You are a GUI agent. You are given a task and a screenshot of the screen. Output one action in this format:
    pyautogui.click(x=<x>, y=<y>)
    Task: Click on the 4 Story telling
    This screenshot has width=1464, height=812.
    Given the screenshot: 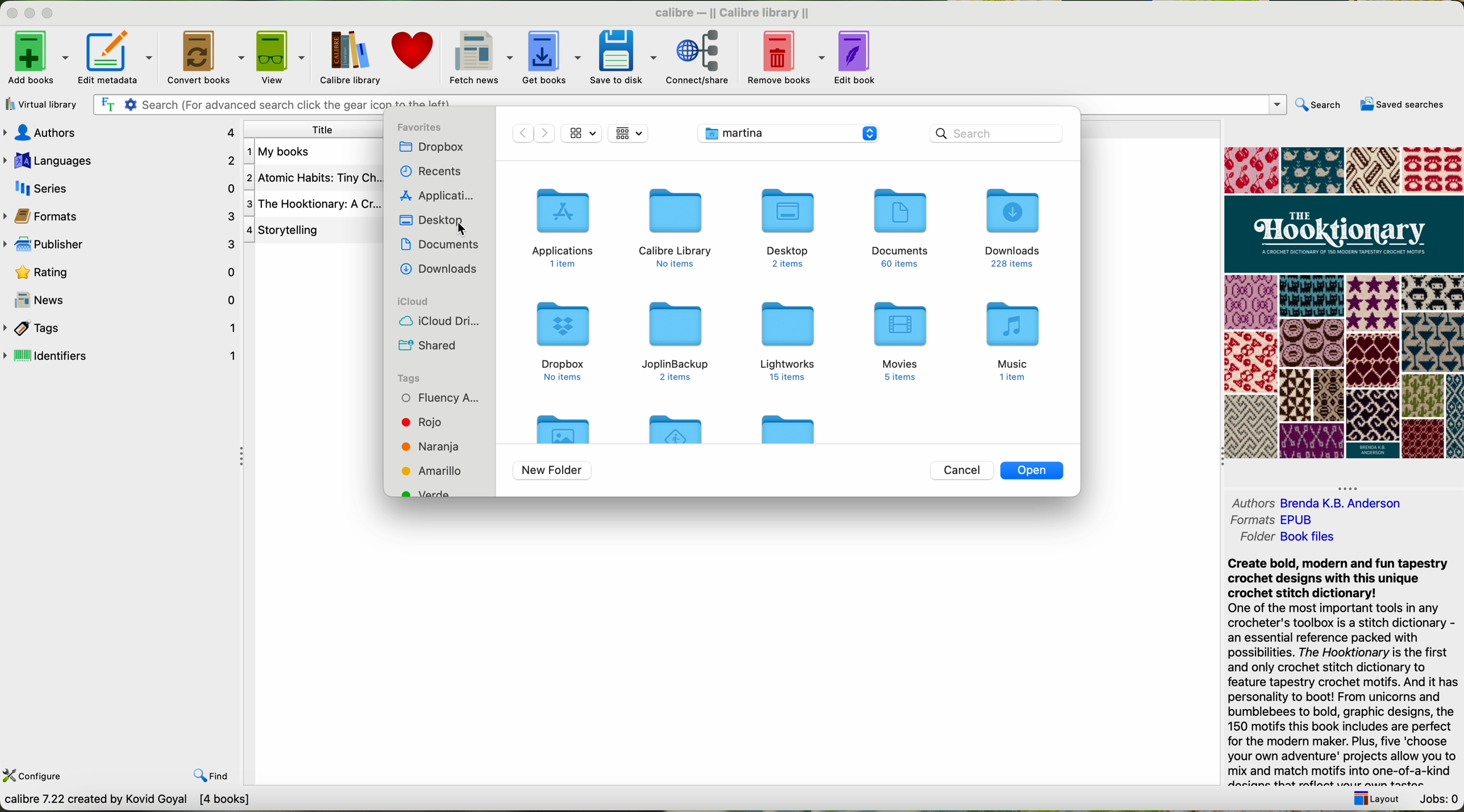 What is the action you would take?
    pyautogui.click(x=289, y=236)
    